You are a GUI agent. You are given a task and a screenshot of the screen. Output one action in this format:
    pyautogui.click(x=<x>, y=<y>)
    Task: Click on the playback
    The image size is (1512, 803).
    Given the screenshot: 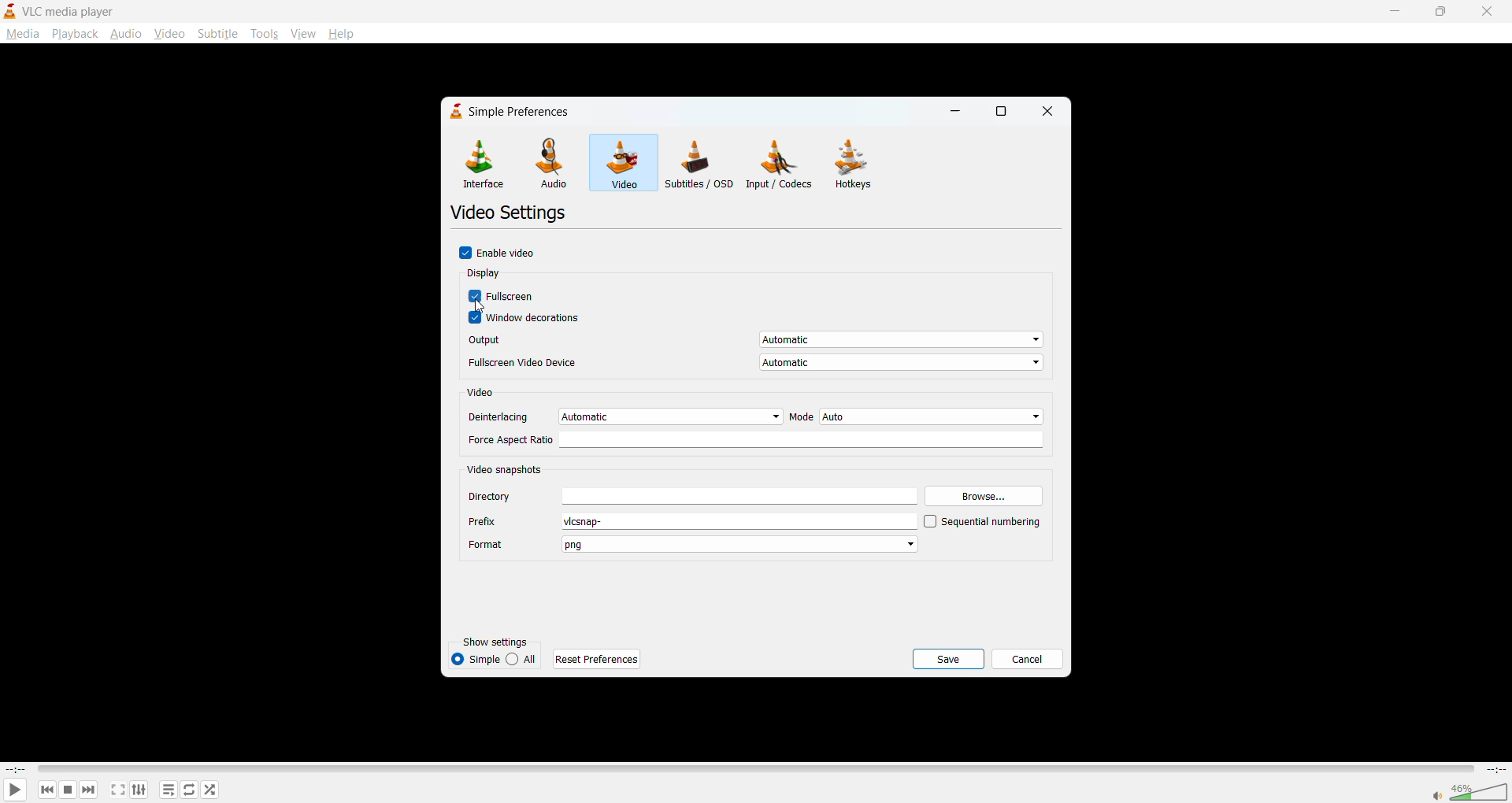 What is the action you would take?
    pyautogui.click(x=75, y=34)
    